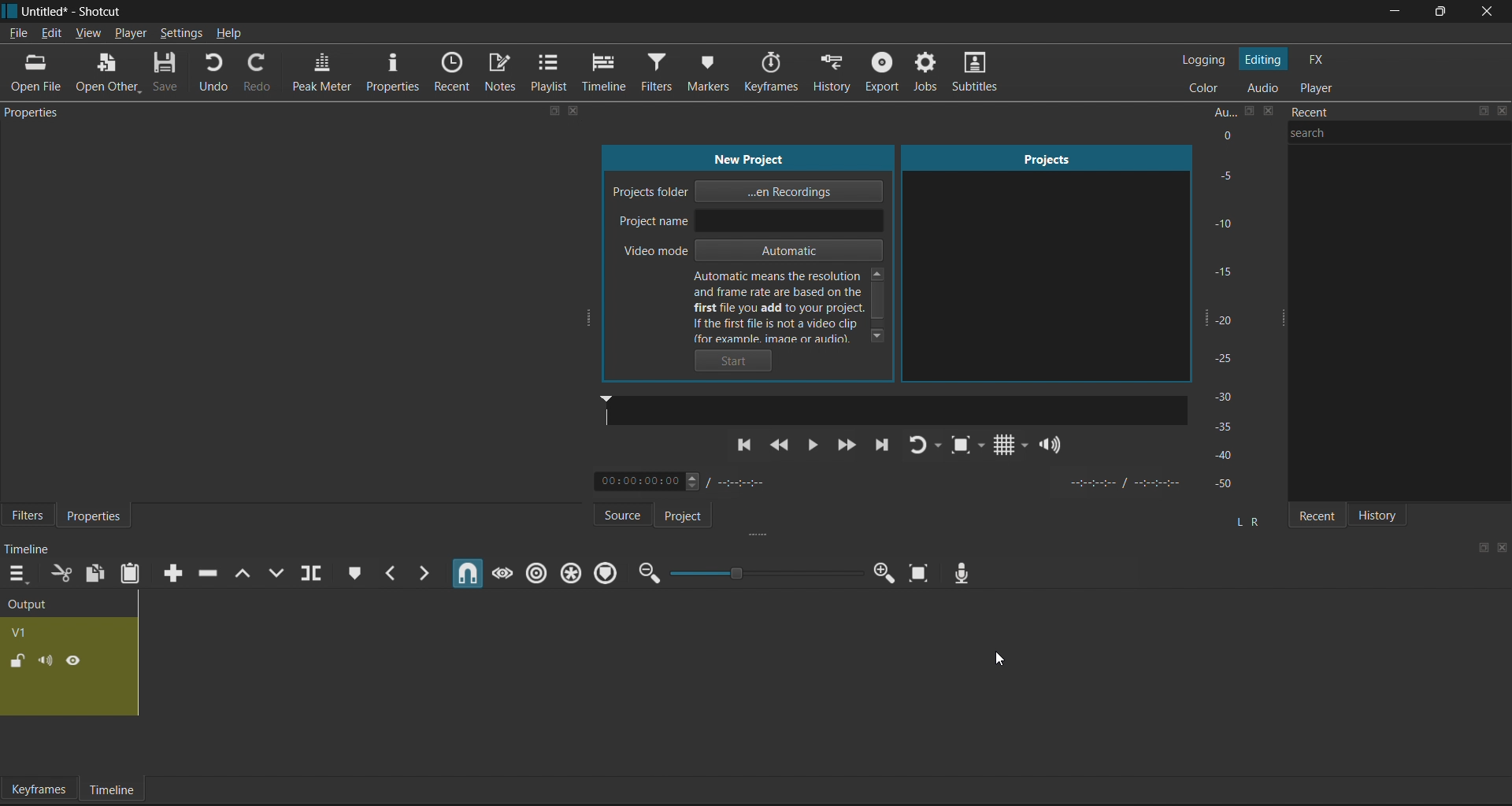  What do you see at coordinates (613, 514) in the screenshot?
I see `Source` at bounding box center [613, 514].